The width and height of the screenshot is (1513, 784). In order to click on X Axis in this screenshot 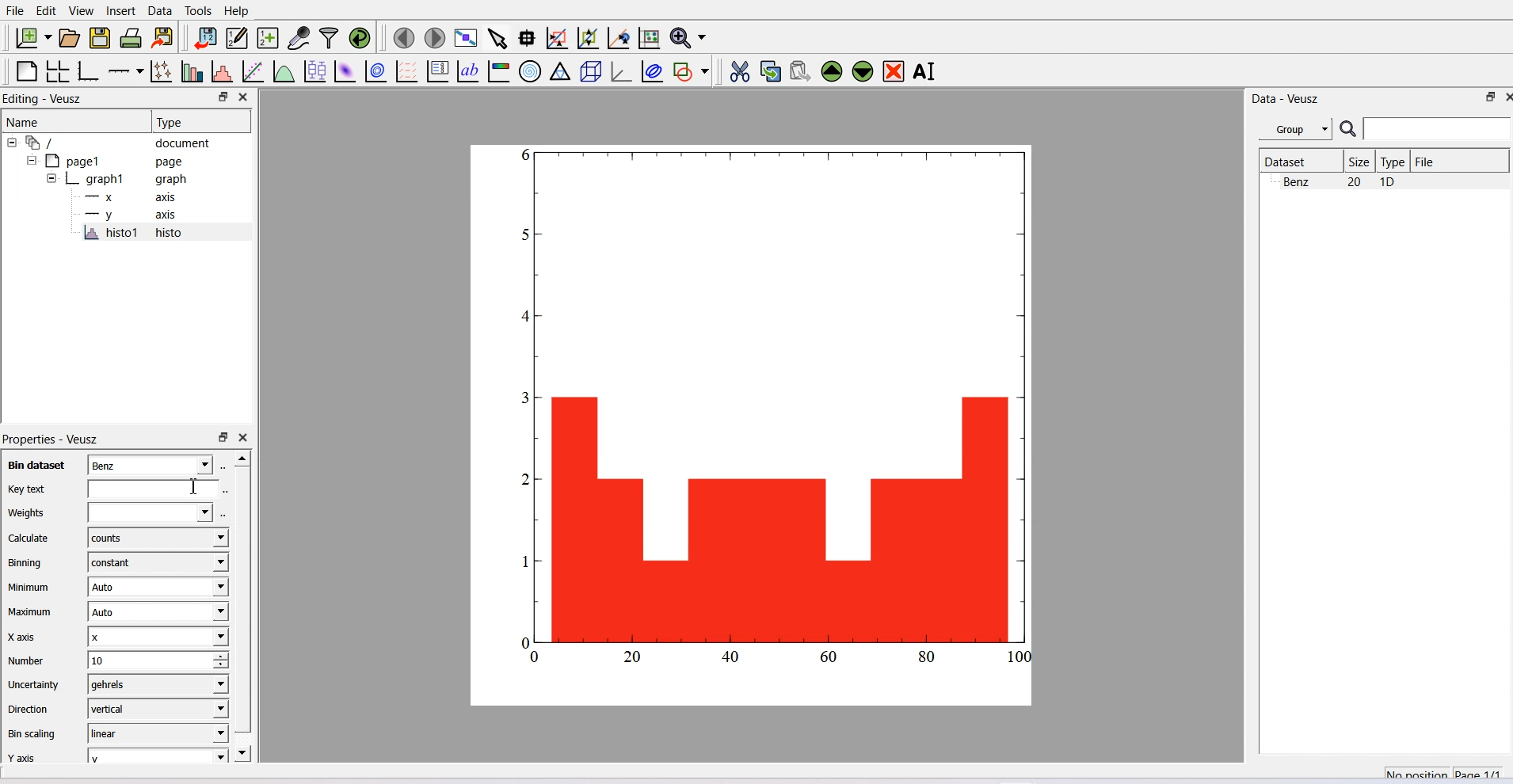, I will do `click(135, 197)`.